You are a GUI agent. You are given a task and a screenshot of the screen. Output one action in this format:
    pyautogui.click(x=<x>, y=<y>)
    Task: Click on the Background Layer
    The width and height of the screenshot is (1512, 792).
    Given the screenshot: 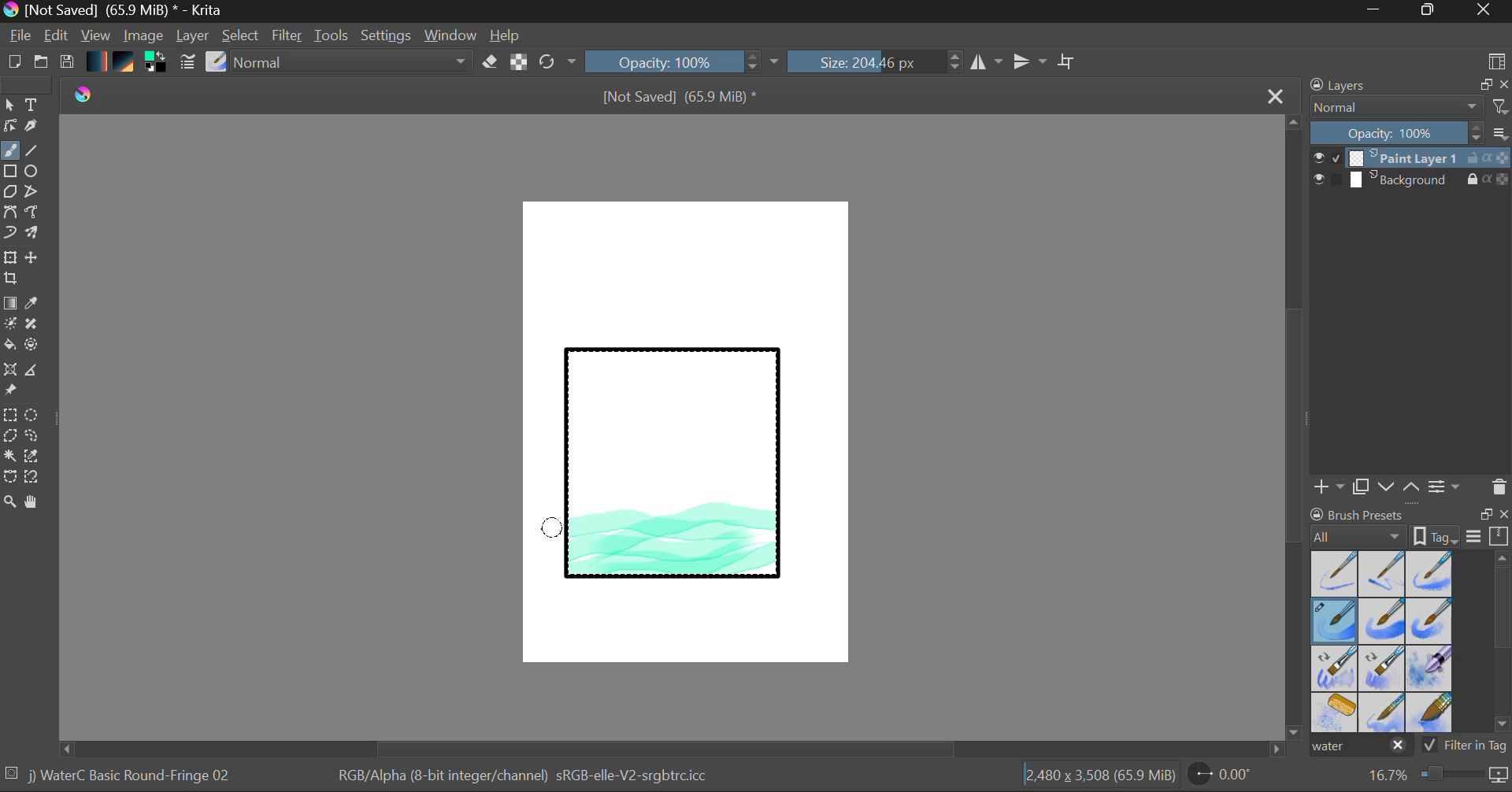 What is the action you would take?
    pyautogui.click(x=1411, y=180)
    